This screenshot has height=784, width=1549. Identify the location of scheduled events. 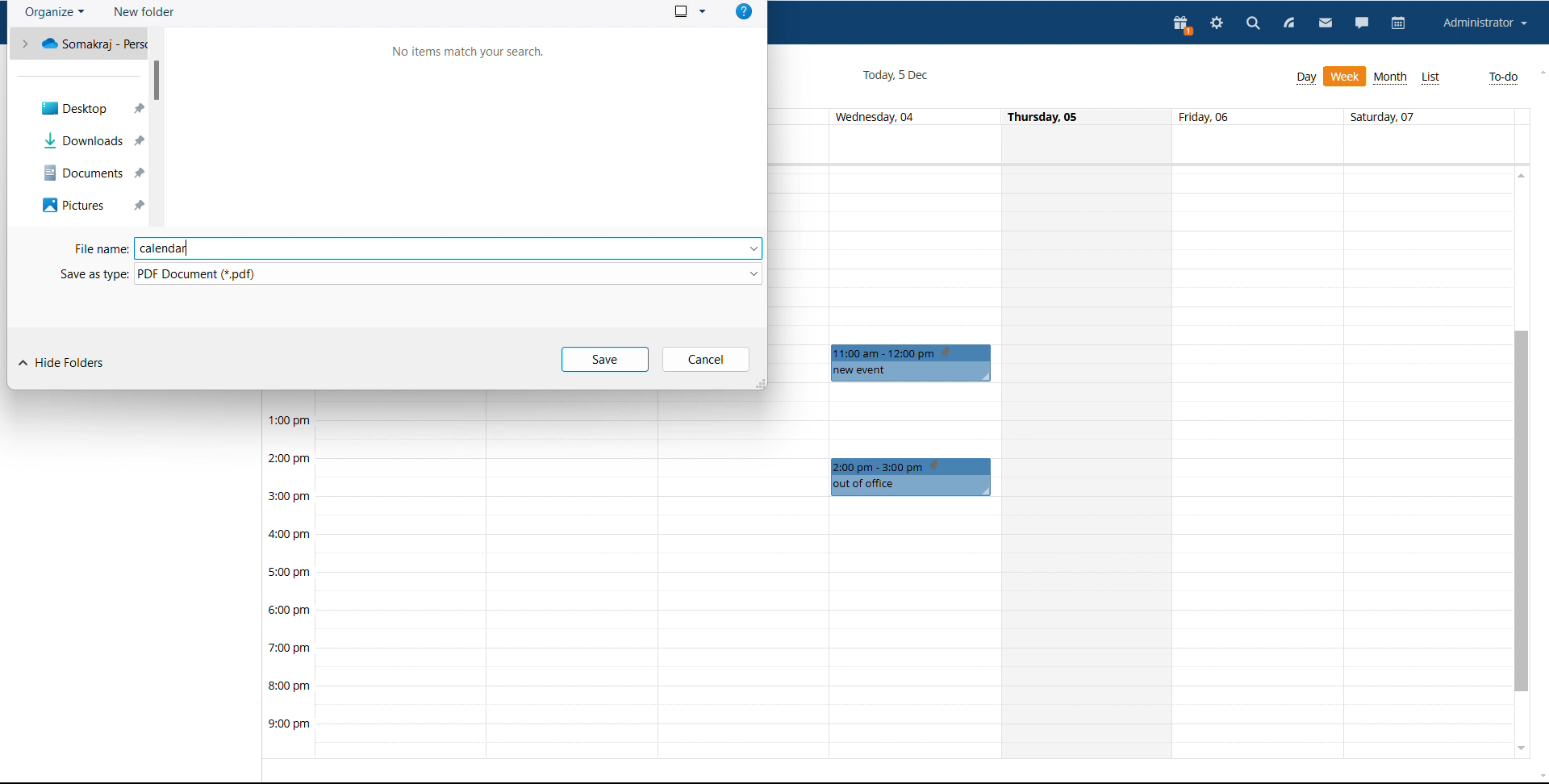
(915, 363).